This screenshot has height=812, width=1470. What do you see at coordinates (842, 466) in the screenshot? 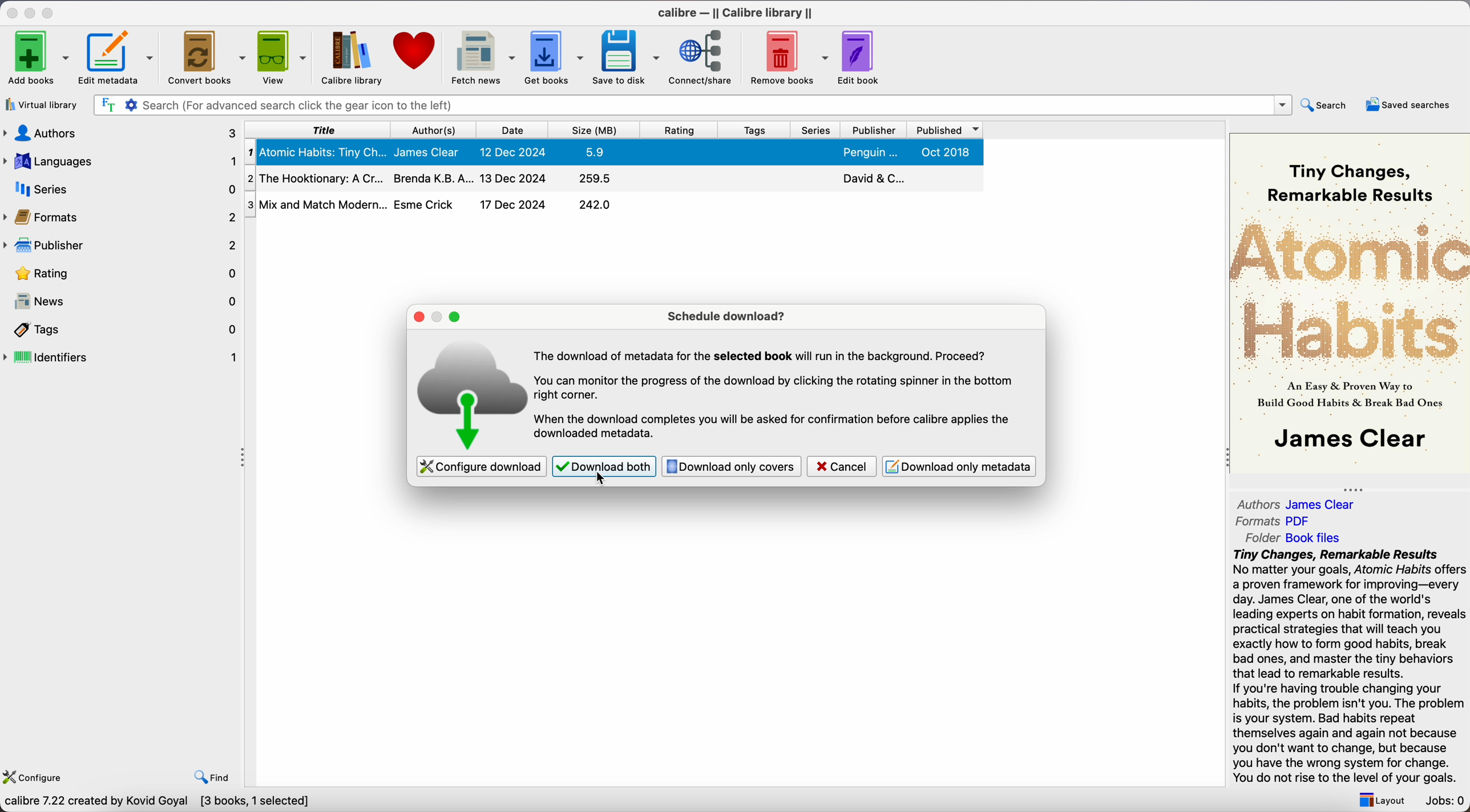
I see `cancel` at bounding box center [842, 466].